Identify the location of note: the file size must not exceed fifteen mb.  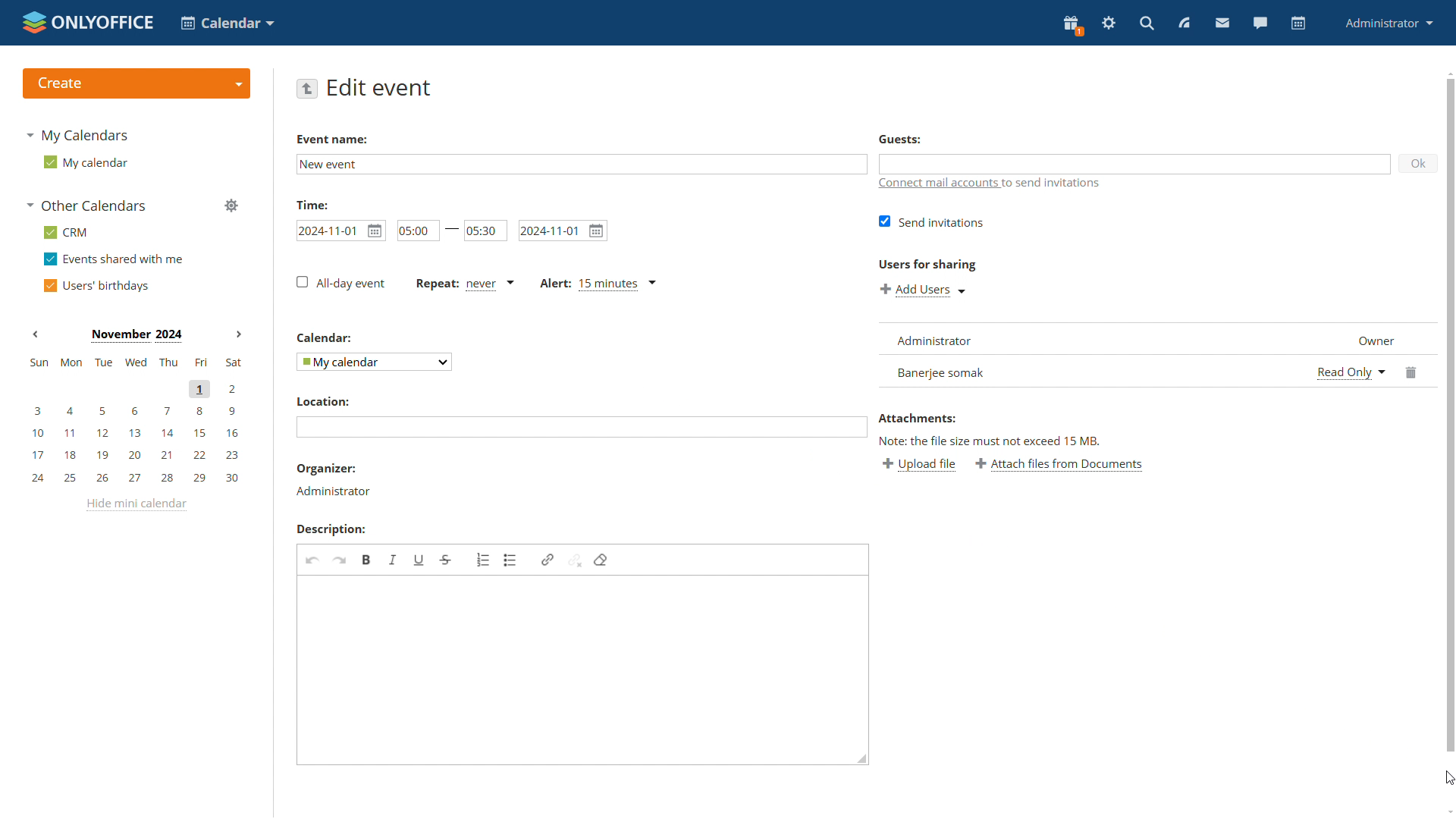
(989, 440).